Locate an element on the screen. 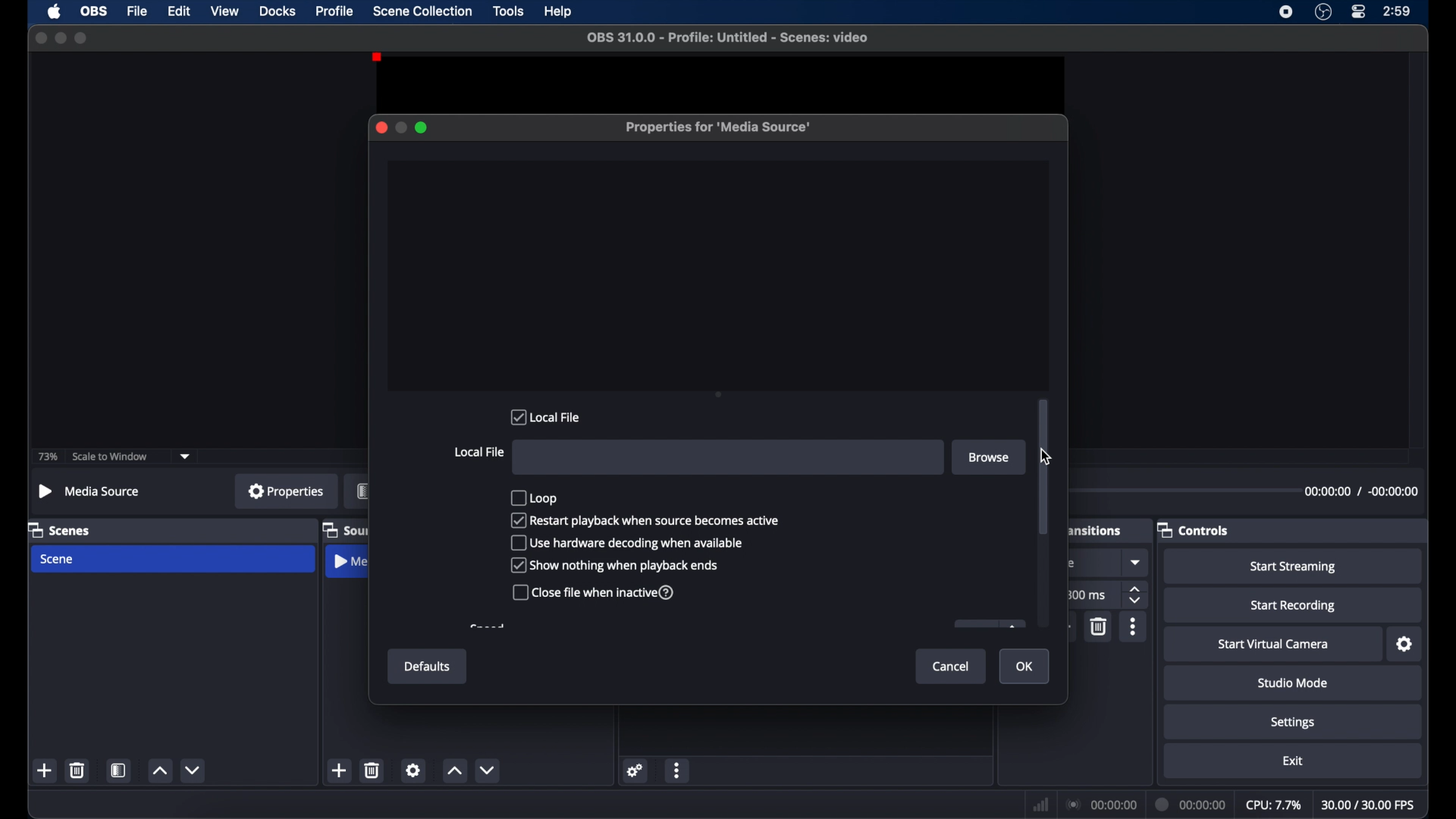 This screenshot has height=819, width=1456. obscure label is located at coordinates (351, 561).